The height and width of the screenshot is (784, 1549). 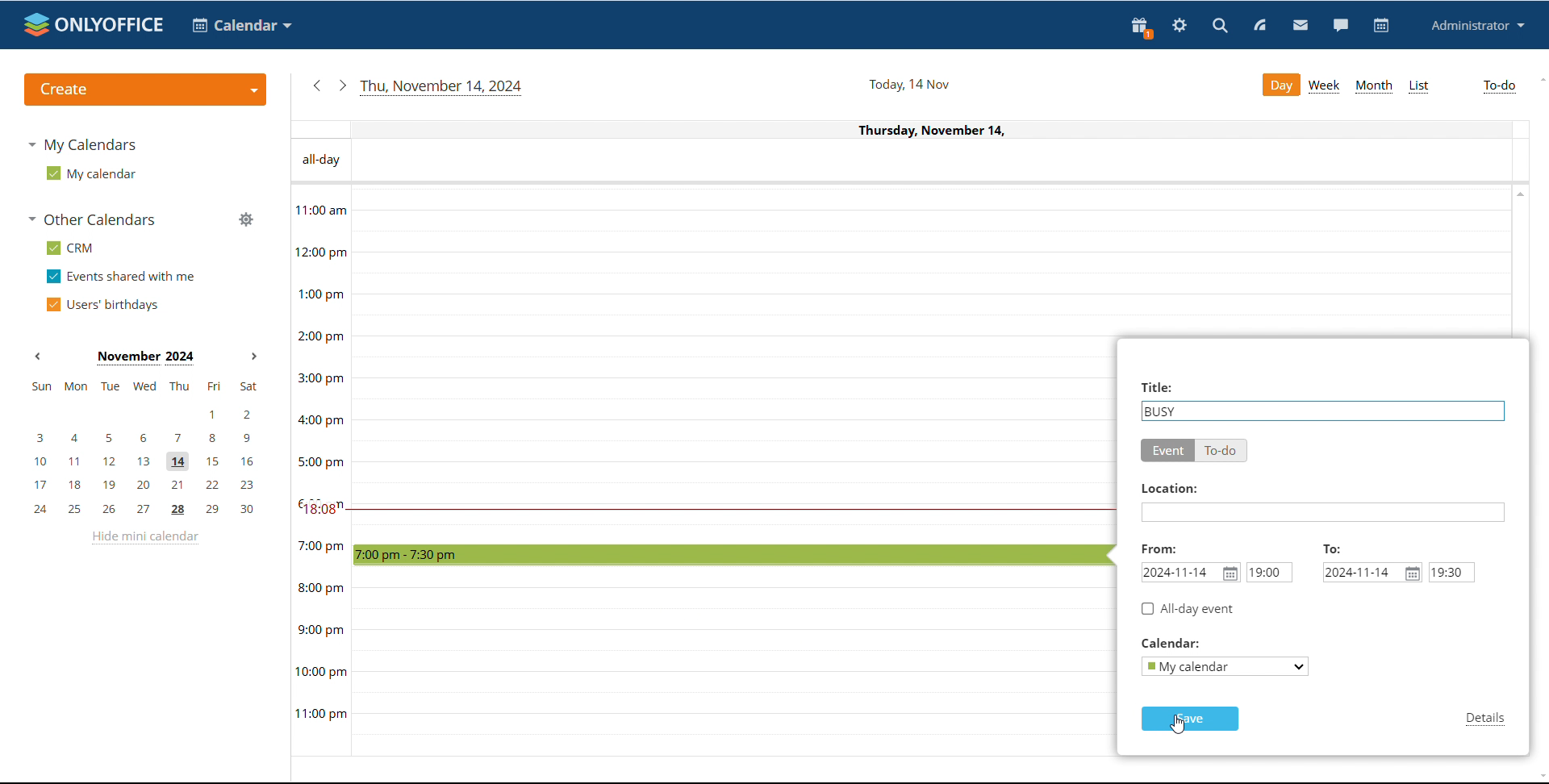 What do you see at coordinates (244, 219) in the screenshot?
I see `manage` at bounding box center [244, 219].